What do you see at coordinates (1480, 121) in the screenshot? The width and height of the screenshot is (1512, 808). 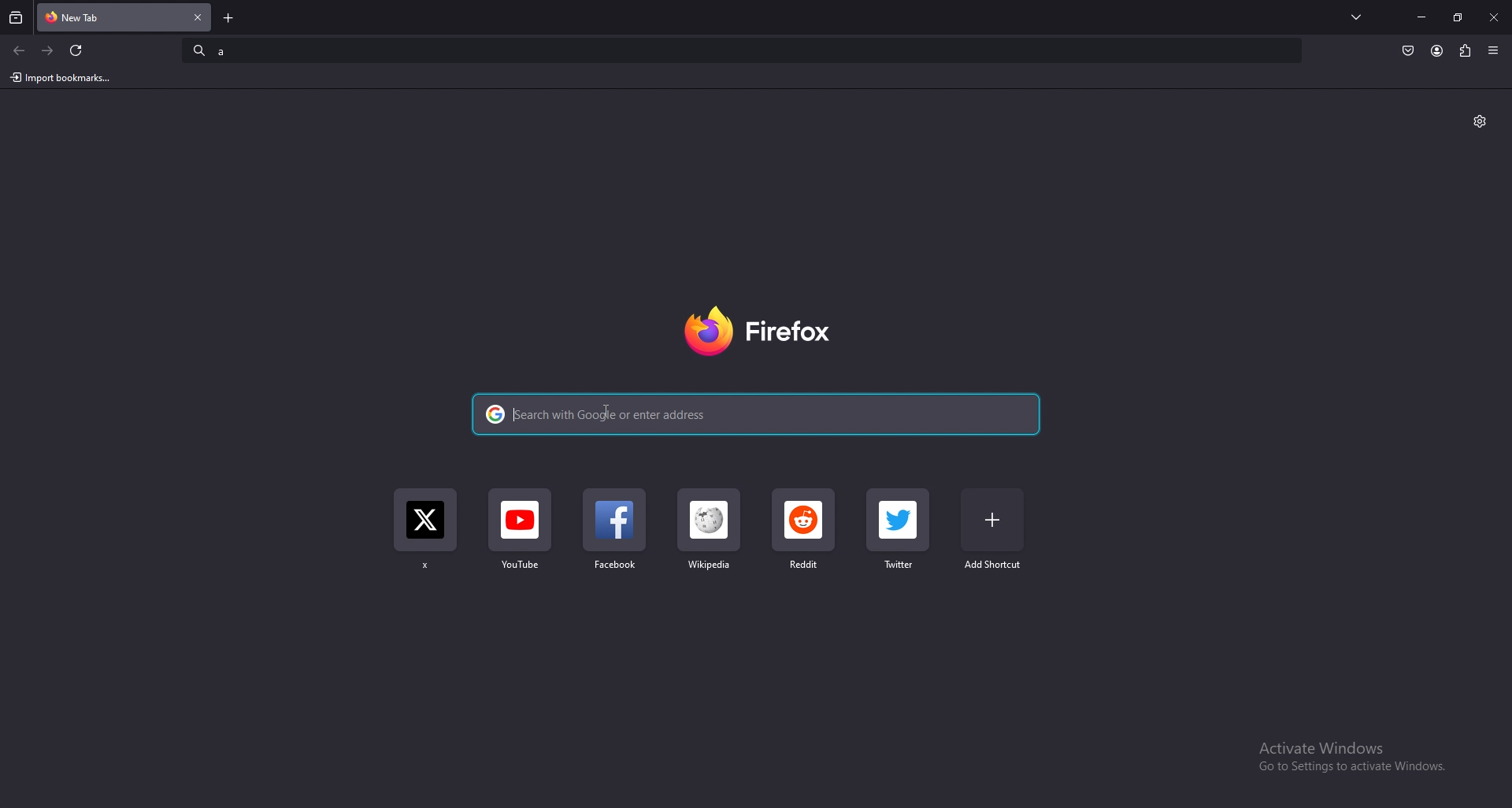 I see `customize` at bounding box center [1480, 121].